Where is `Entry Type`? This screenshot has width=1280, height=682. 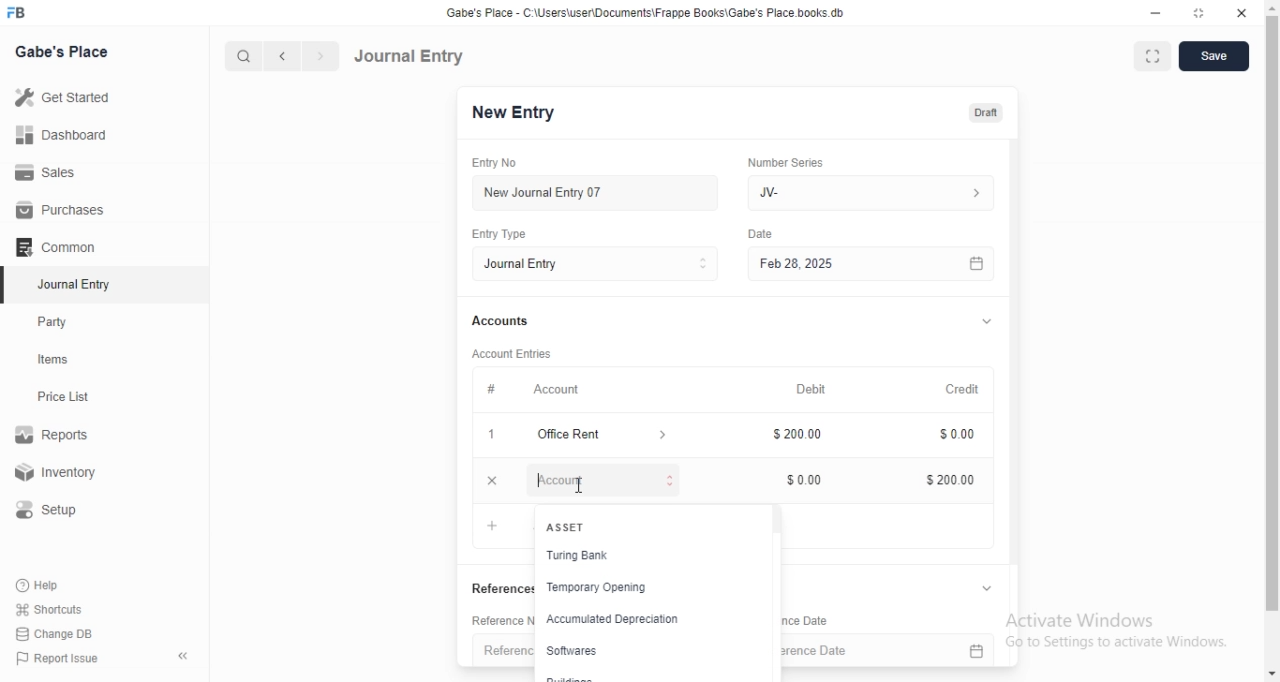 Entry Type is located at coordinates (602, 264).